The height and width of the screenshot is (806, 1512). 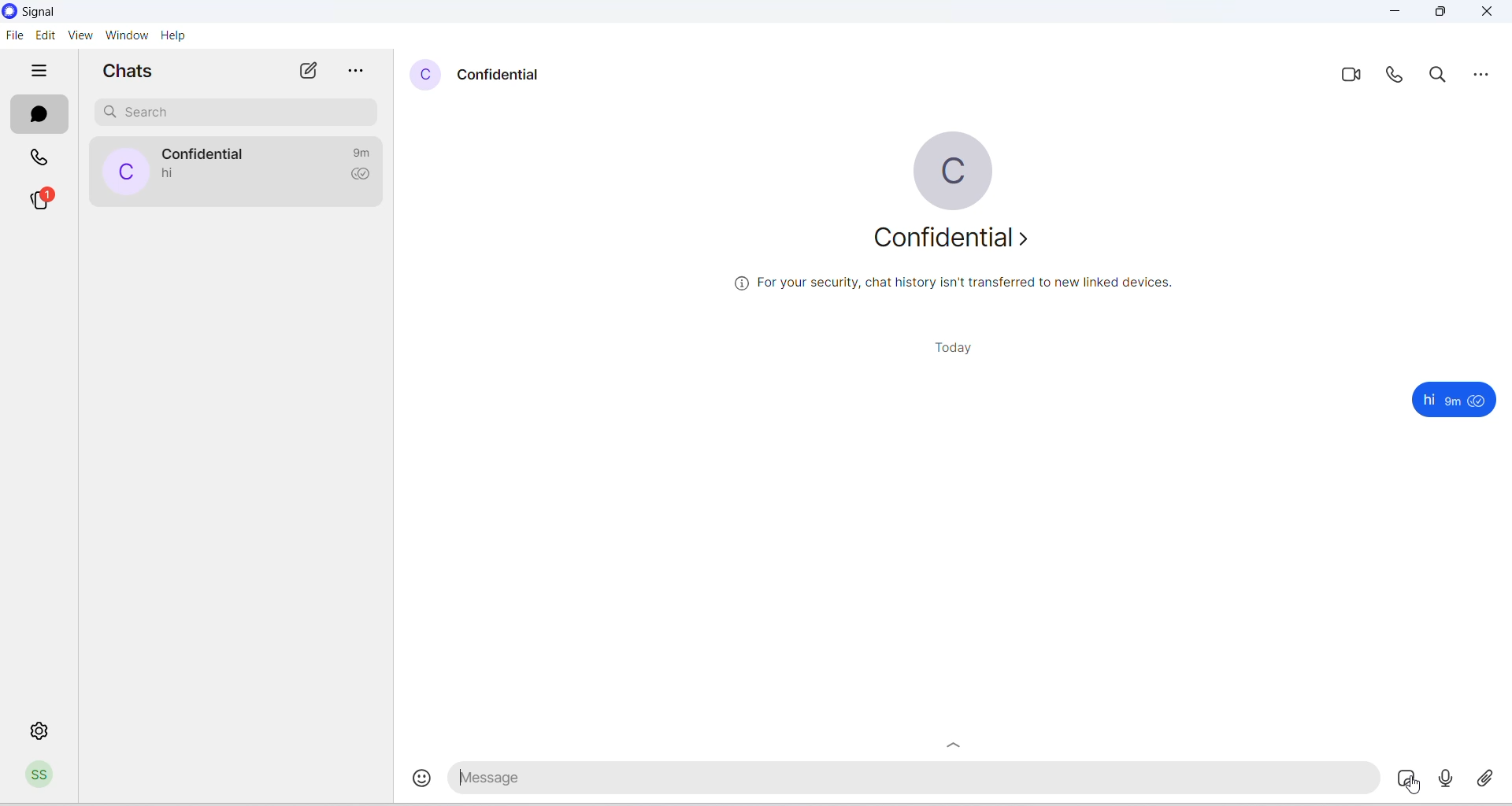 What do you see at coordinates (42, 730) in the screenshot?
I see `settings` at bounding box center [42, 730].